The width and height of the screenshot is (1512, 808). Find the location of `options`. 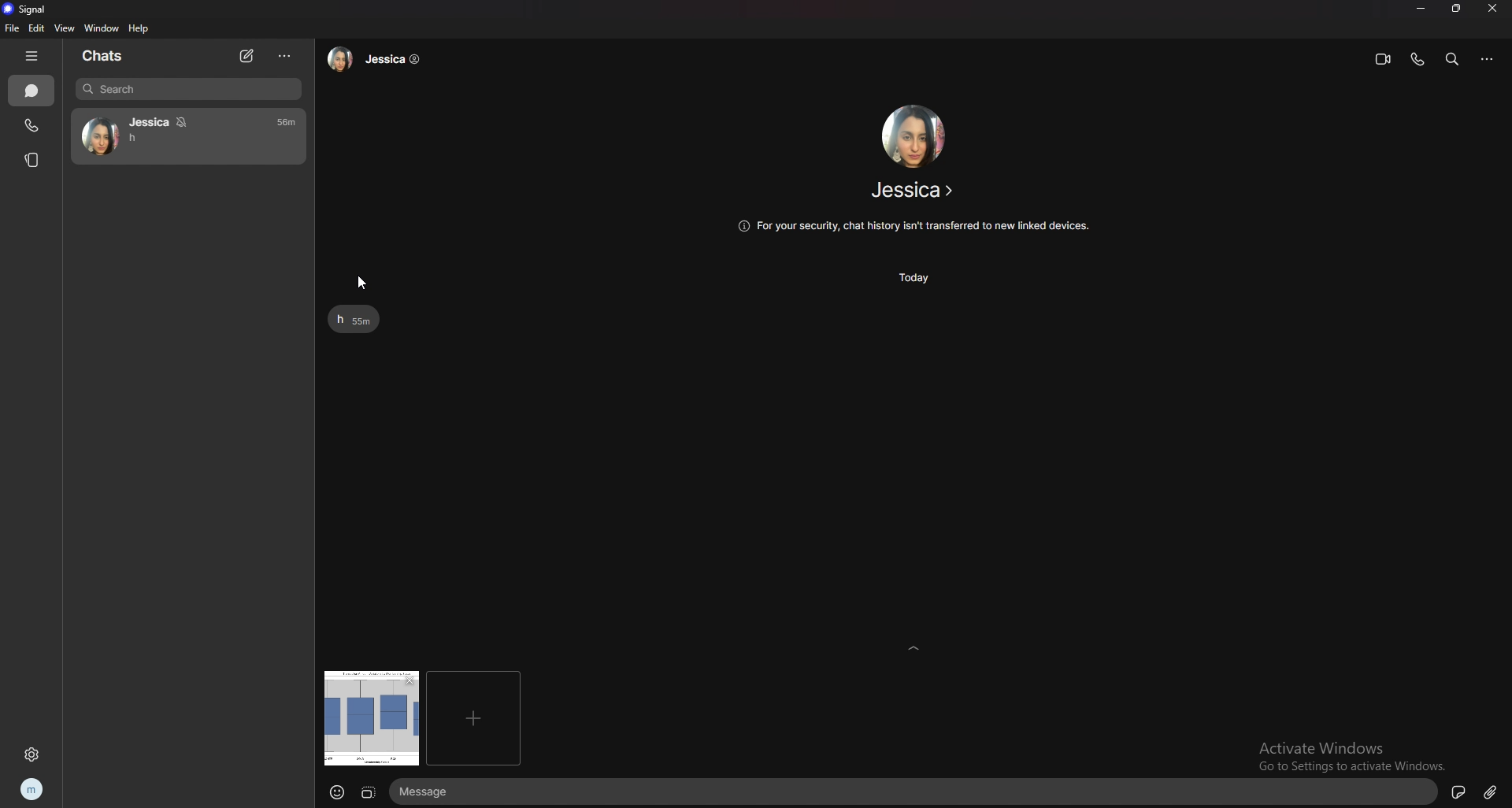

options is located at coordinates (1488, 59).